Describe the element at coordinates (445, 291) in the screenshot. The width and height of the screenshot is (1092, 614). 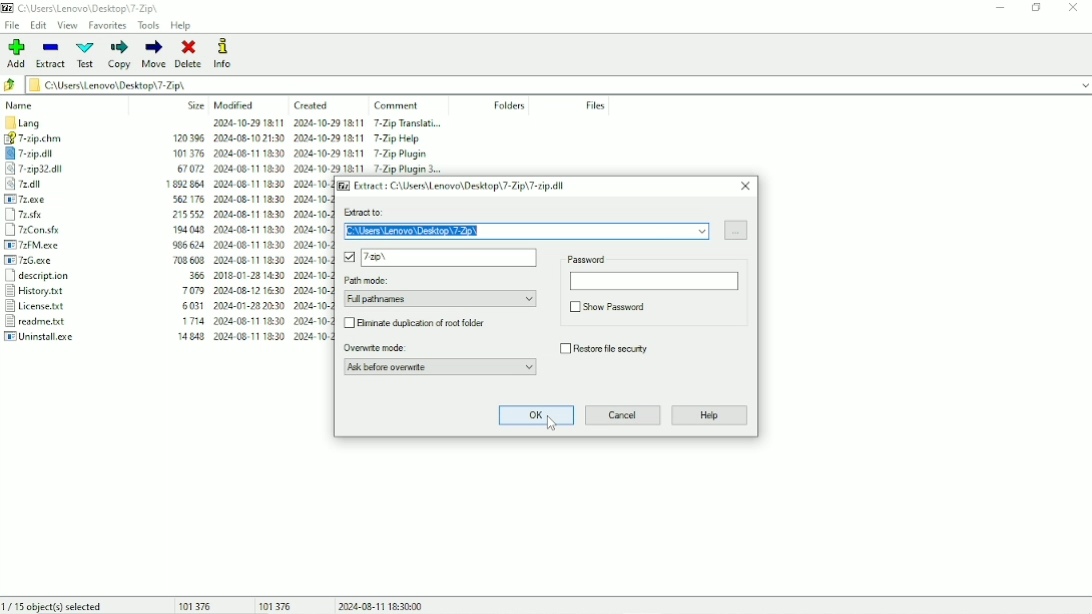
I see `Path mode:` at that location.